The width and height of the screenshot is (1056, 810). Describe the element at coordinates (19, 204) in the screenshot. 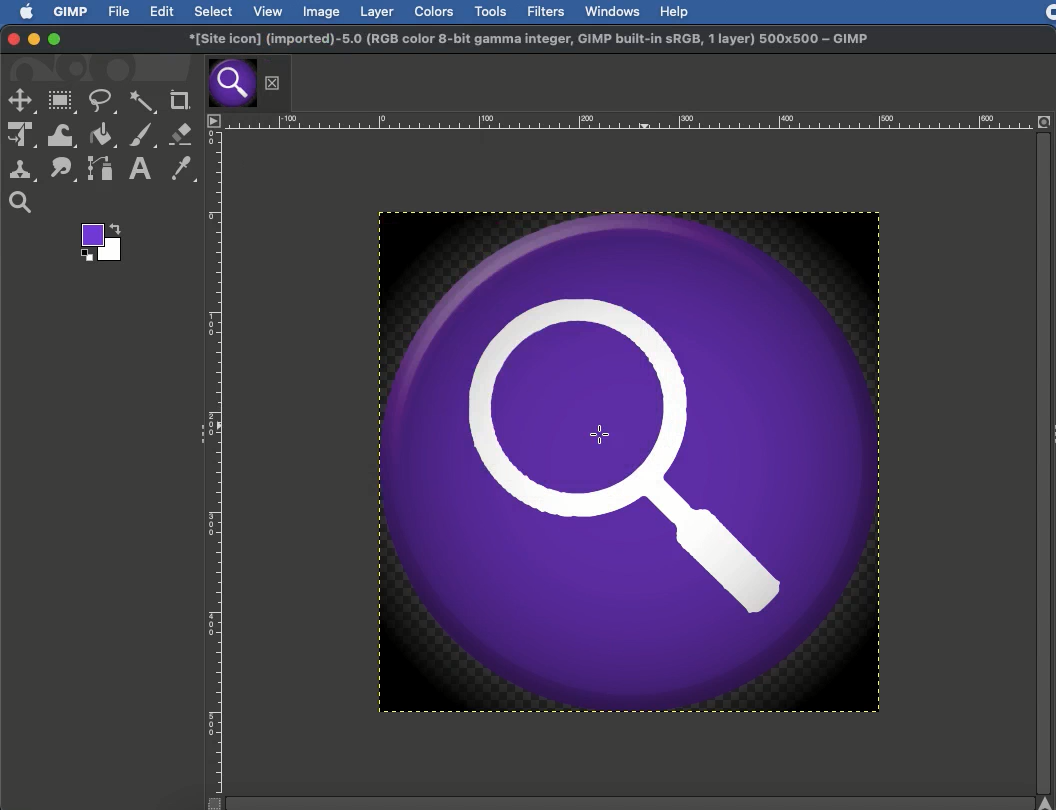

I see `Magnify` at that location.